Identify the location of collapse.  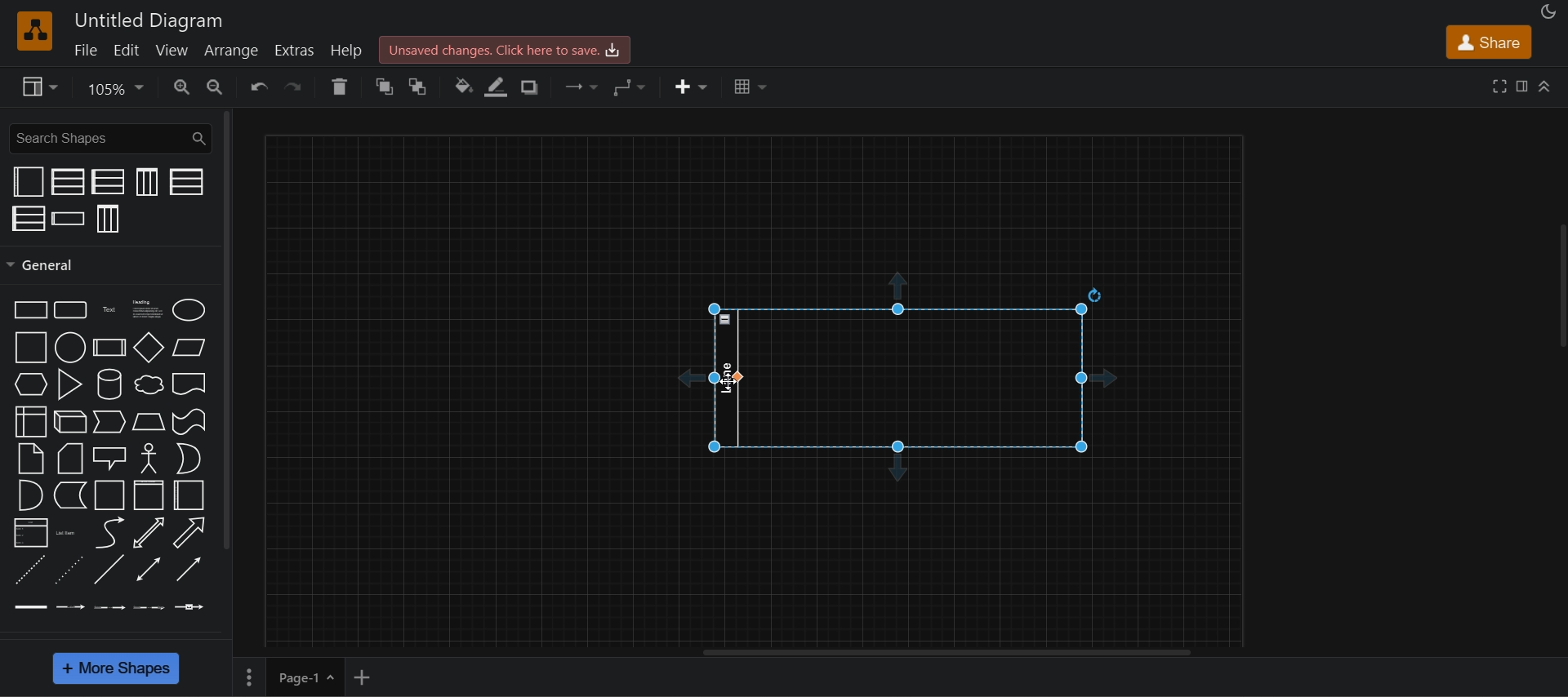
(1557, 290).